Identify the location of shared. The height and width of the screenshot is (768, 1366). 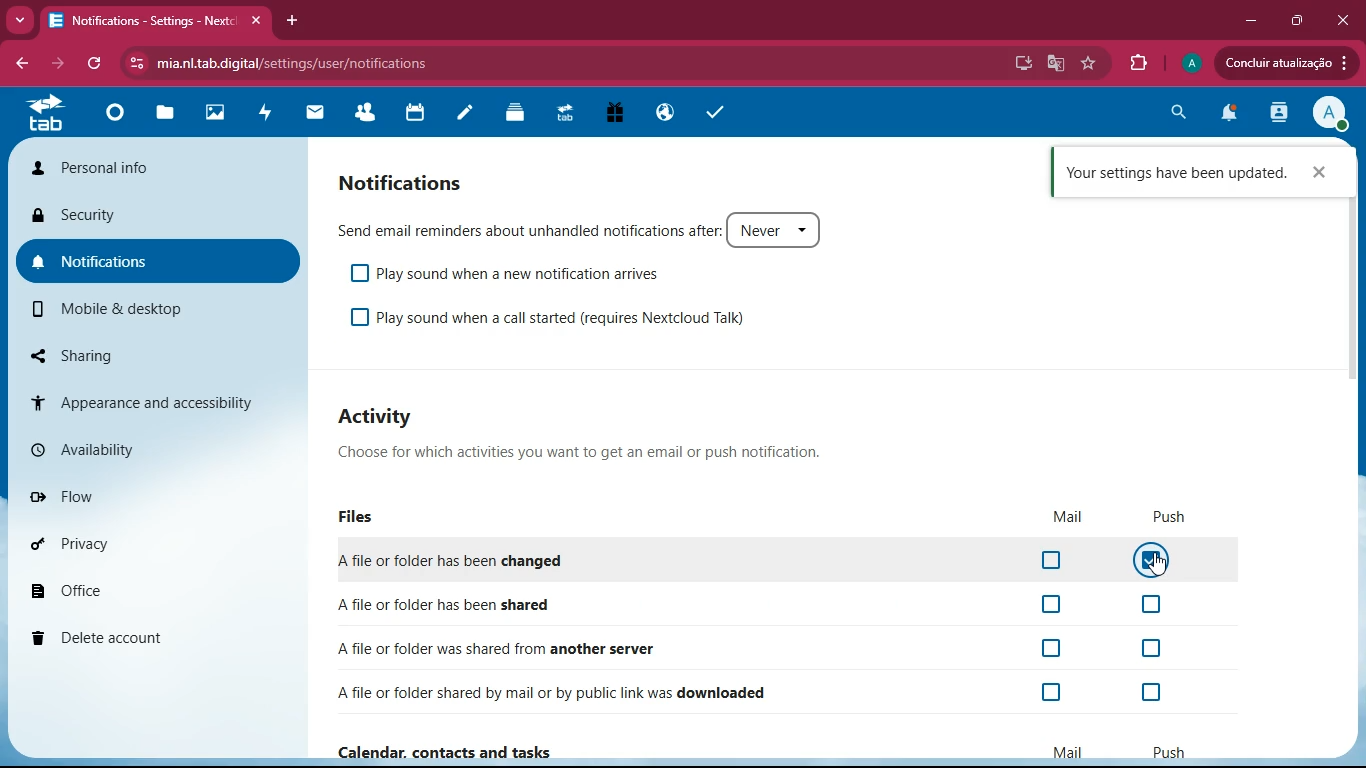
(471, 603).